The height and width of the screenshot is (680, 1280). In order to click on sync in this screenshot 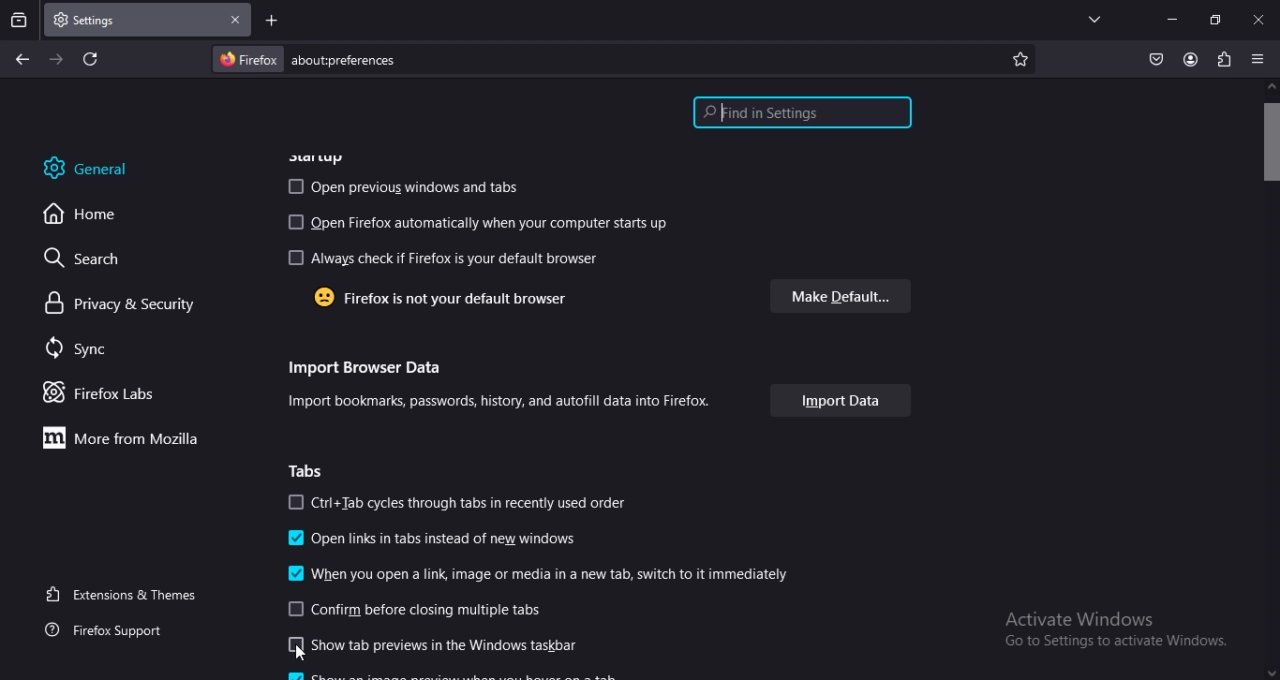, I will do `click(78, 351)`.